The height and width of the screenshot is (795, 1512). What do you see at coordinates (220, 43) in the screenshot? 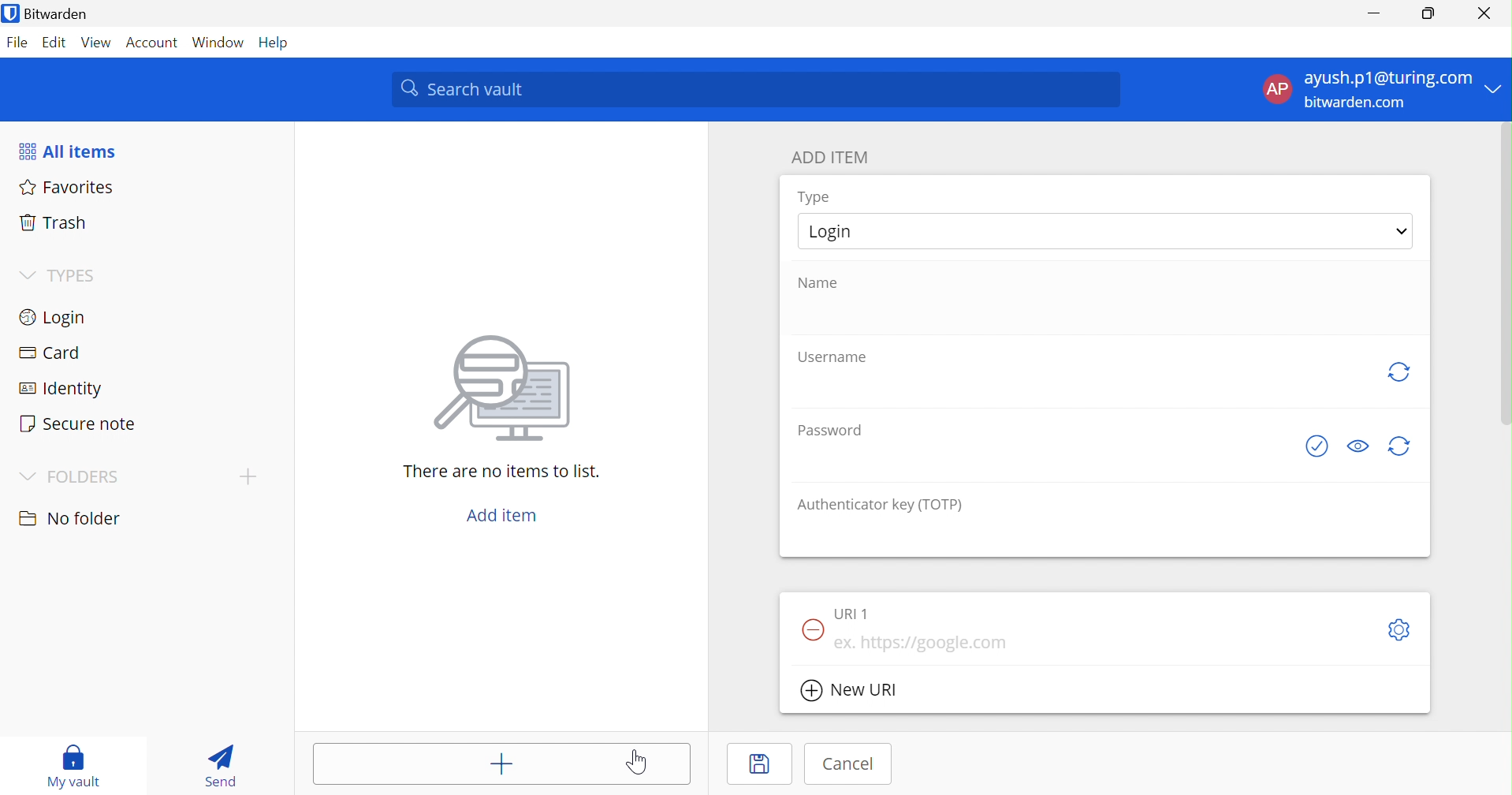
I see `Windows` at bounding box center [220, 43].